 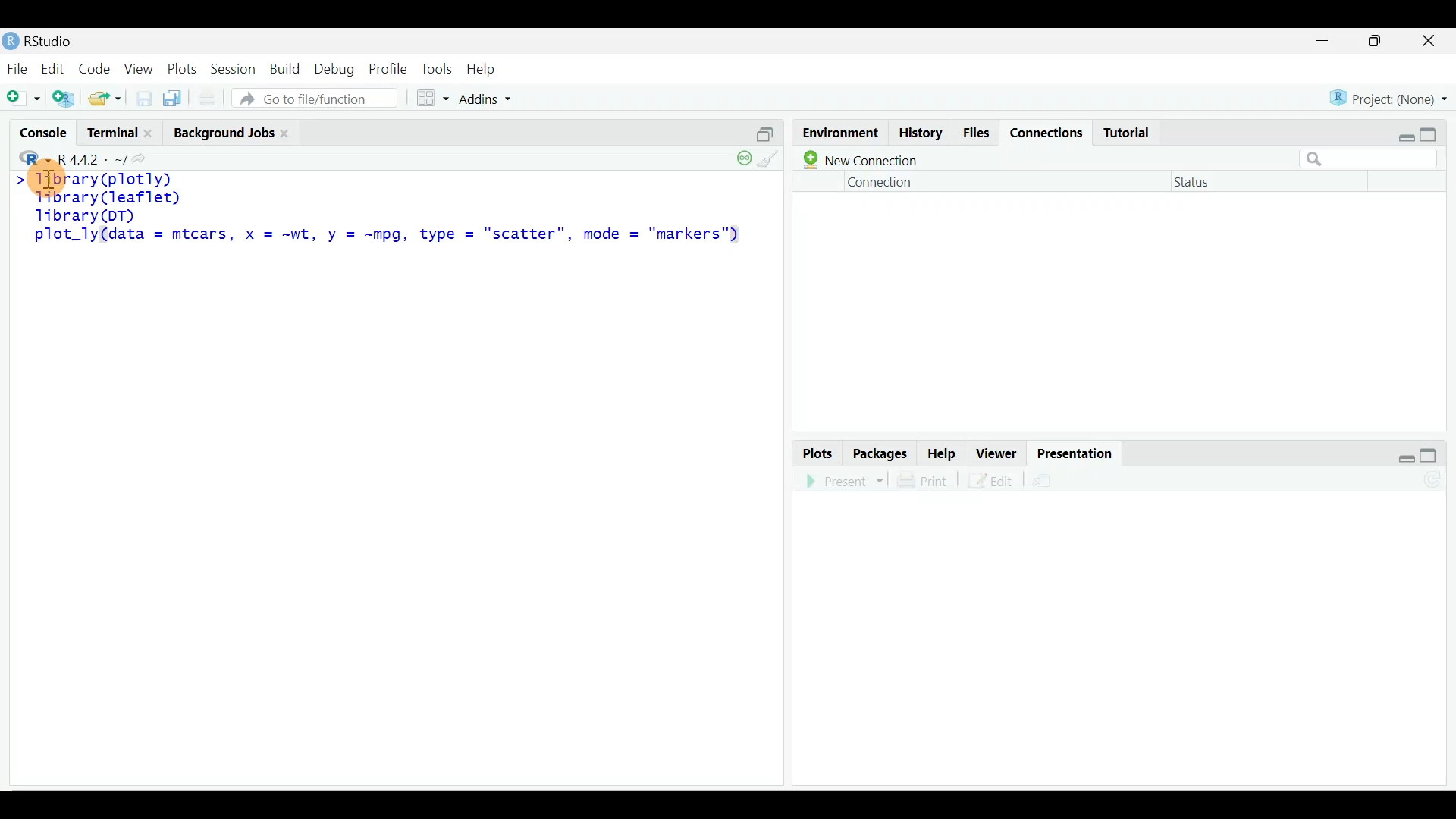 What do you see at coordinates (15, 177) in the screenshot?
I see `Line cursor` at bounding box center [15, 177].